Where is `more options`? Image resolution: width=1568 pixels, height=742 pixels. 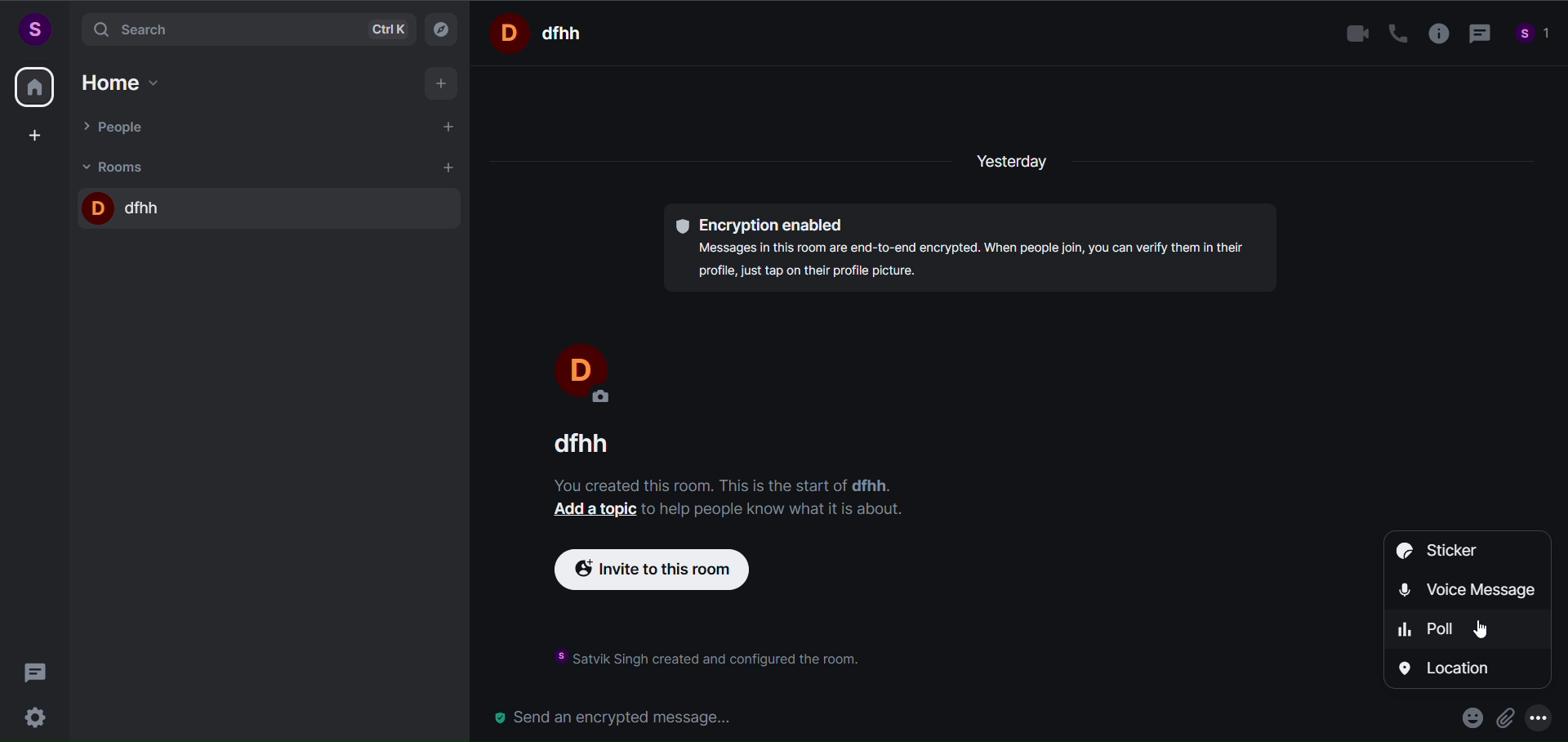 more options is located at coordinates (1539, 720).